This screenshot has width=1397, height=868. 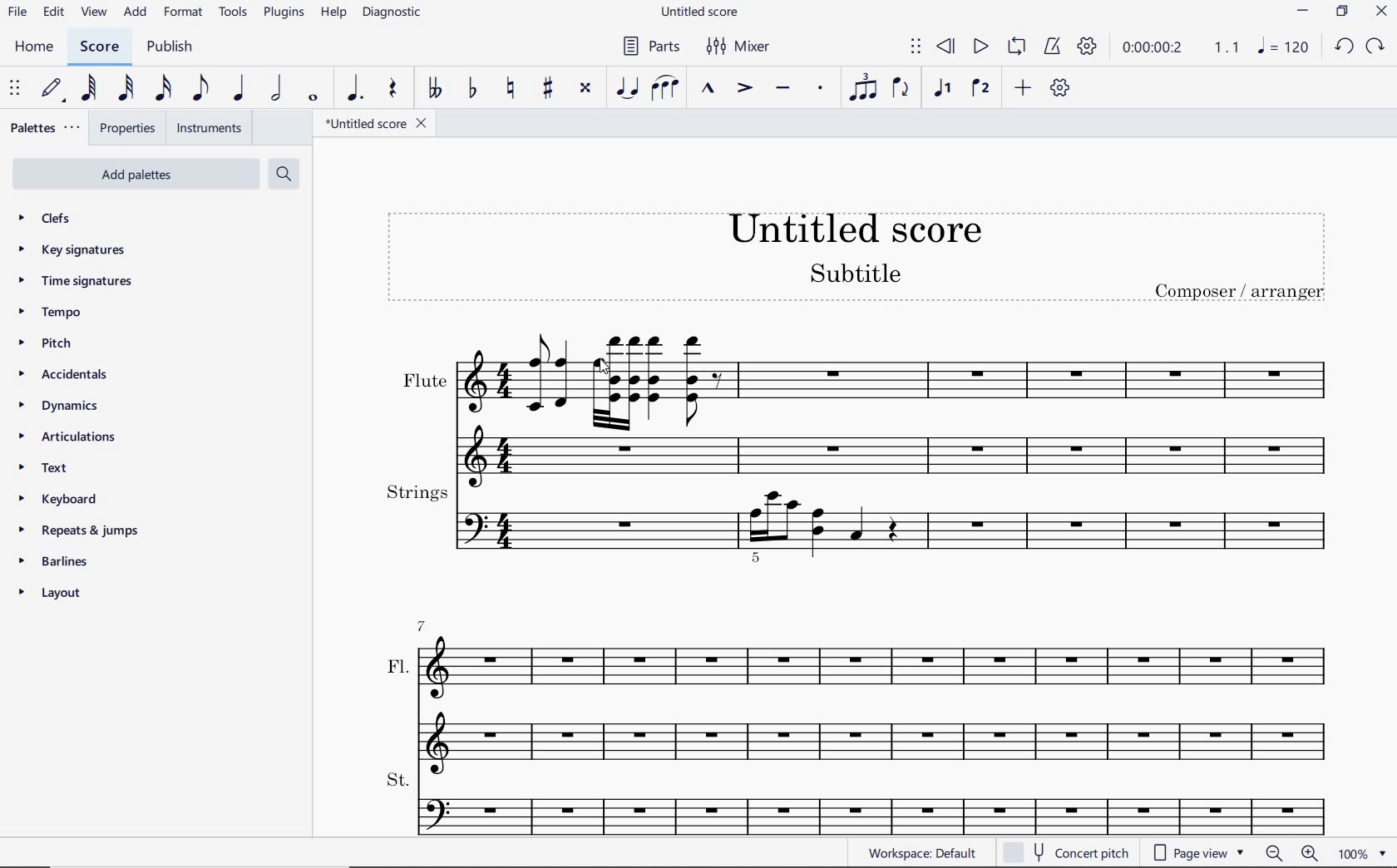 What do you see at coordinates (52, 11) in the screenshot?
I see `edit` at bounding box center [52, 11].